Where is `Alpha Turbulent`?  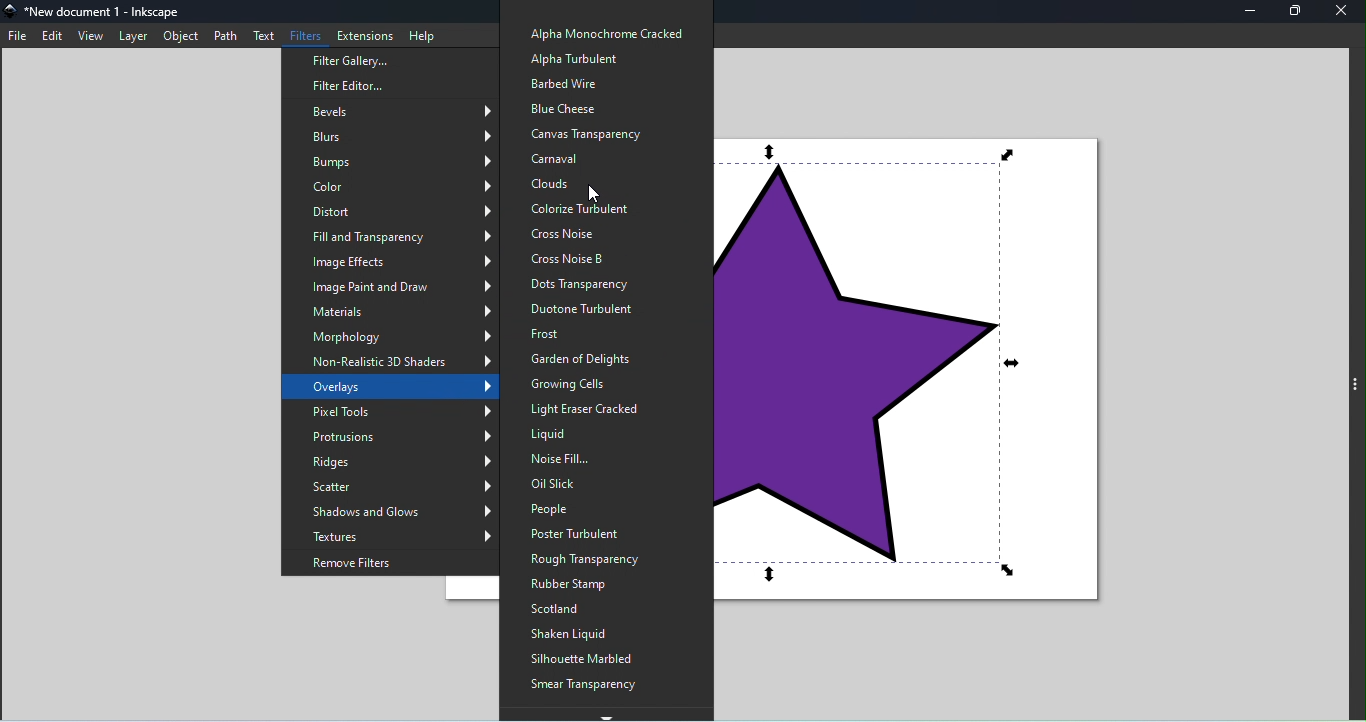
Alpha Turbulent is located at coordinates (577, 60).